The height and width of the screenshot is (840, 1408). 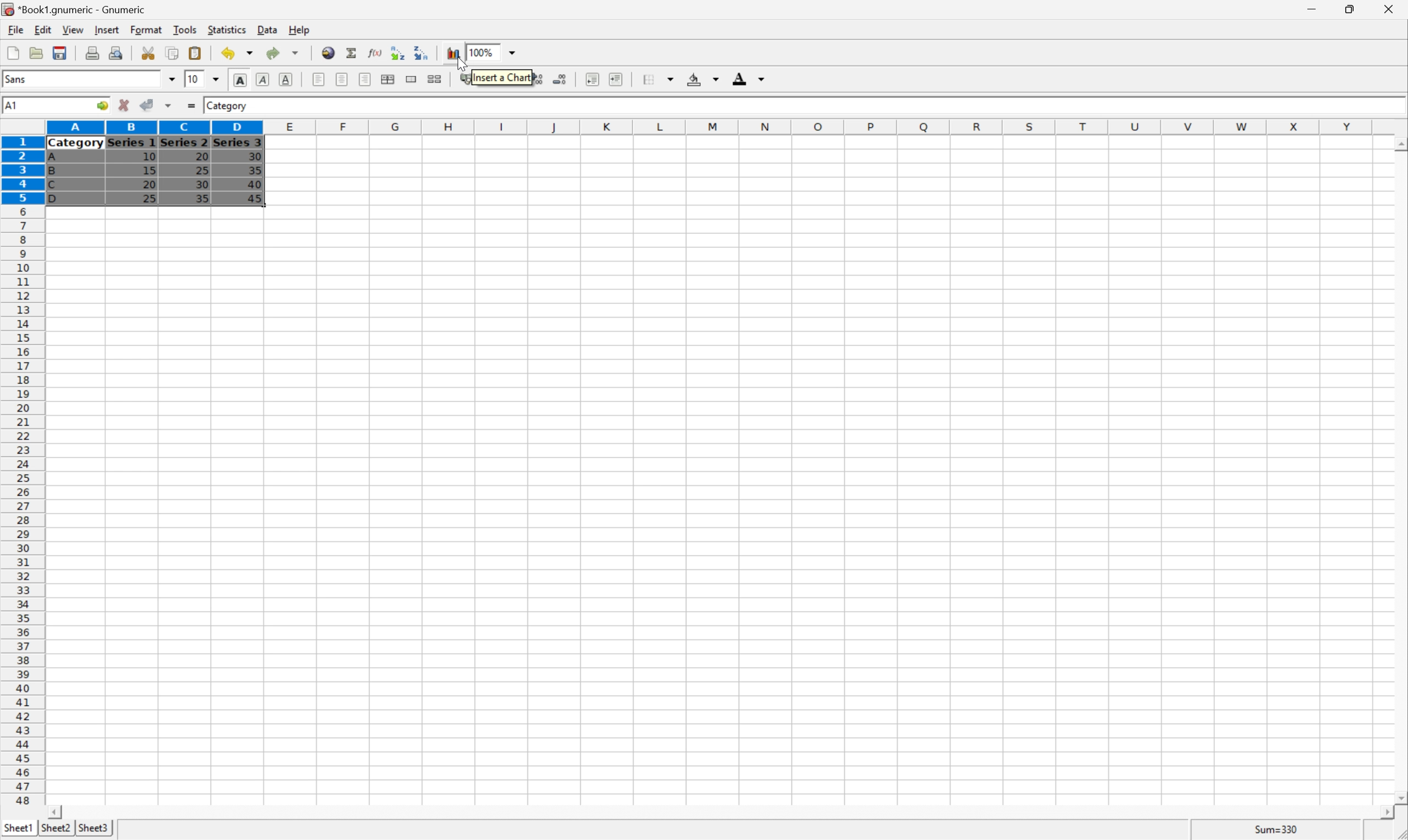 What do you see at coordinates (145, 104) in the screenshot?
I see `Accept changes` at bounding box center [145, 104].